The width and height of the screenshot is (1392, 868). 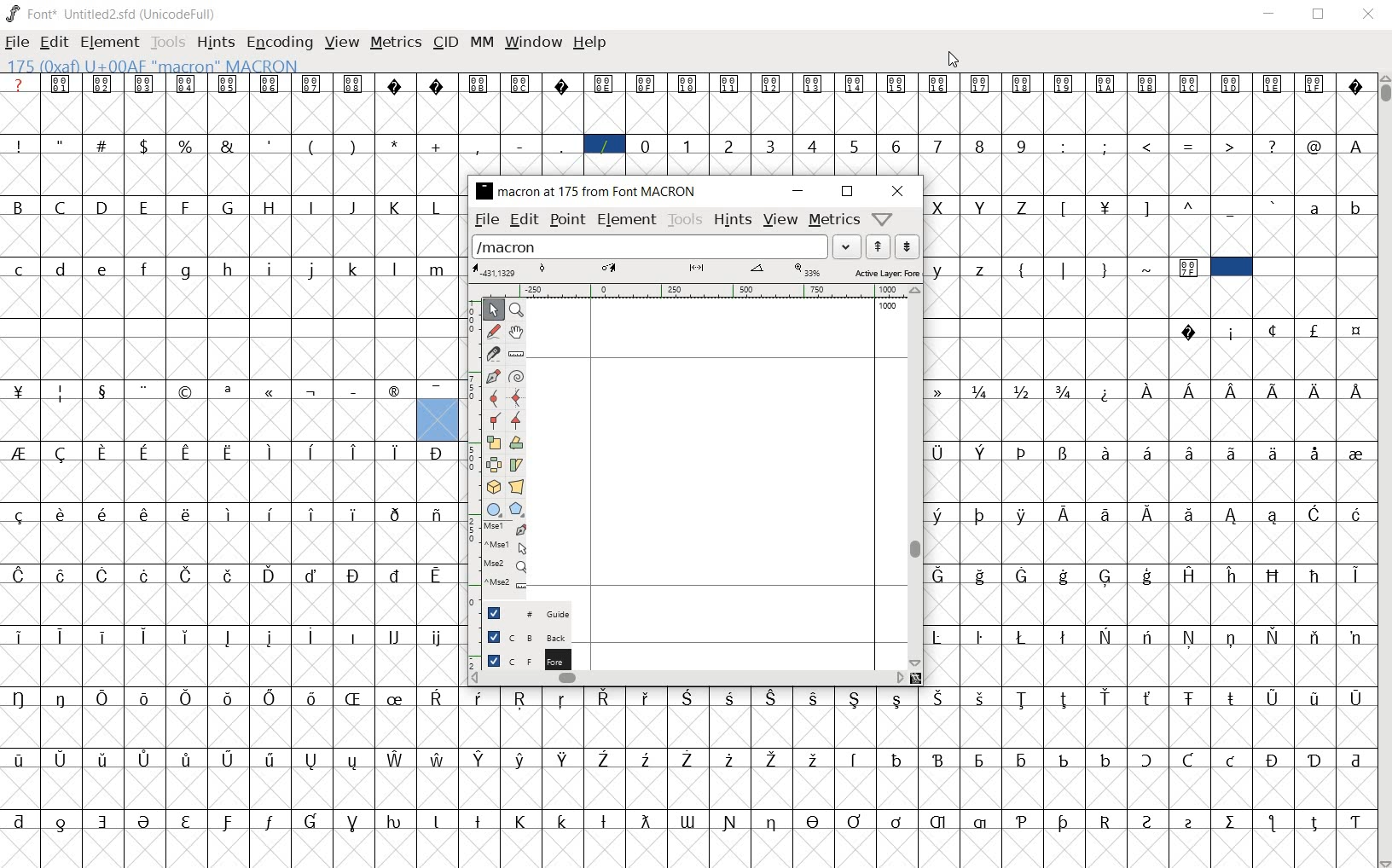 I want to click on Symbol, so click(x=1354, y=820).